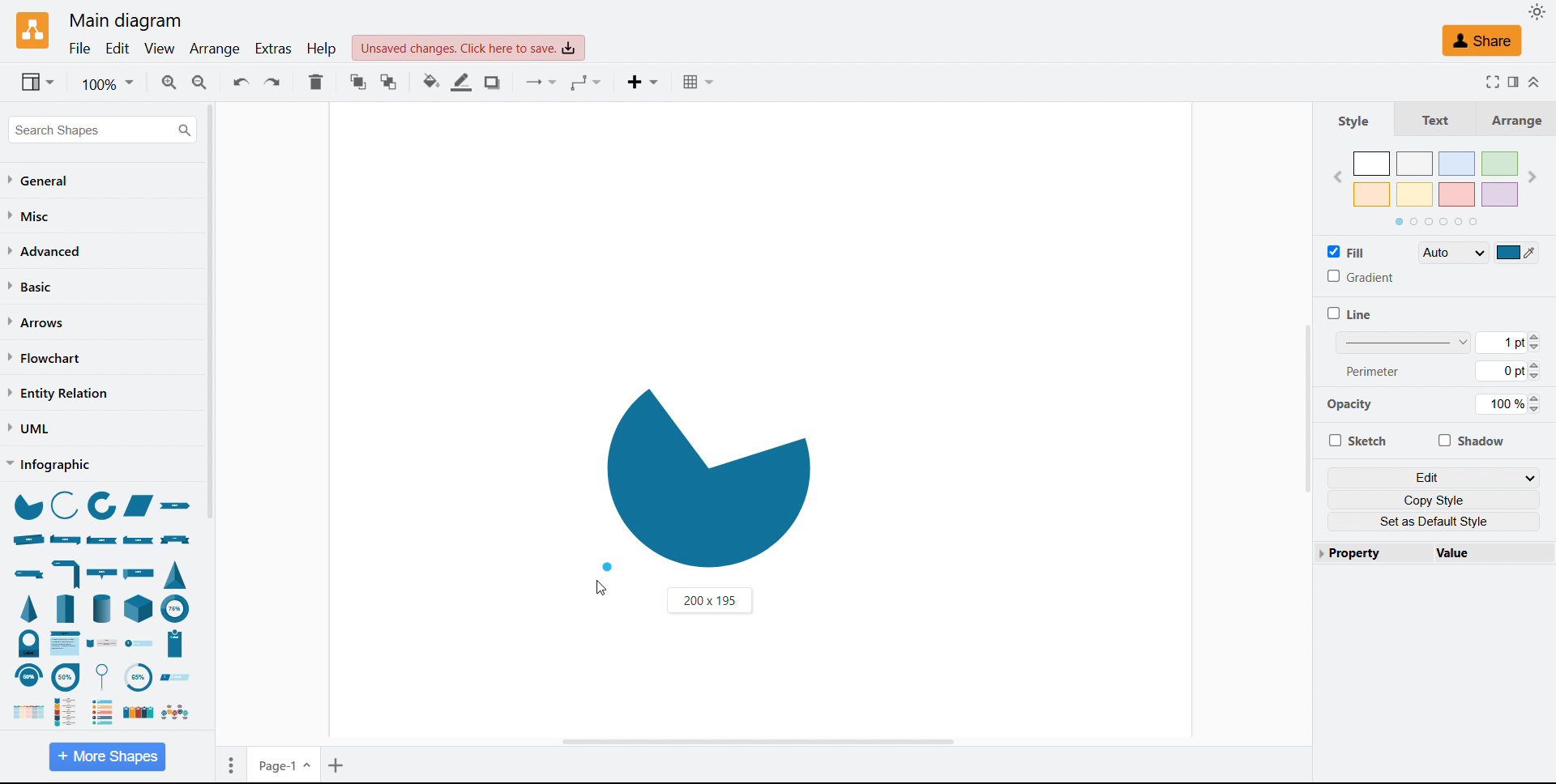 The image size is (1556, 784). Describe the element at coordinates (316, 82) in the screenshot. I see `Delete ` at that location.